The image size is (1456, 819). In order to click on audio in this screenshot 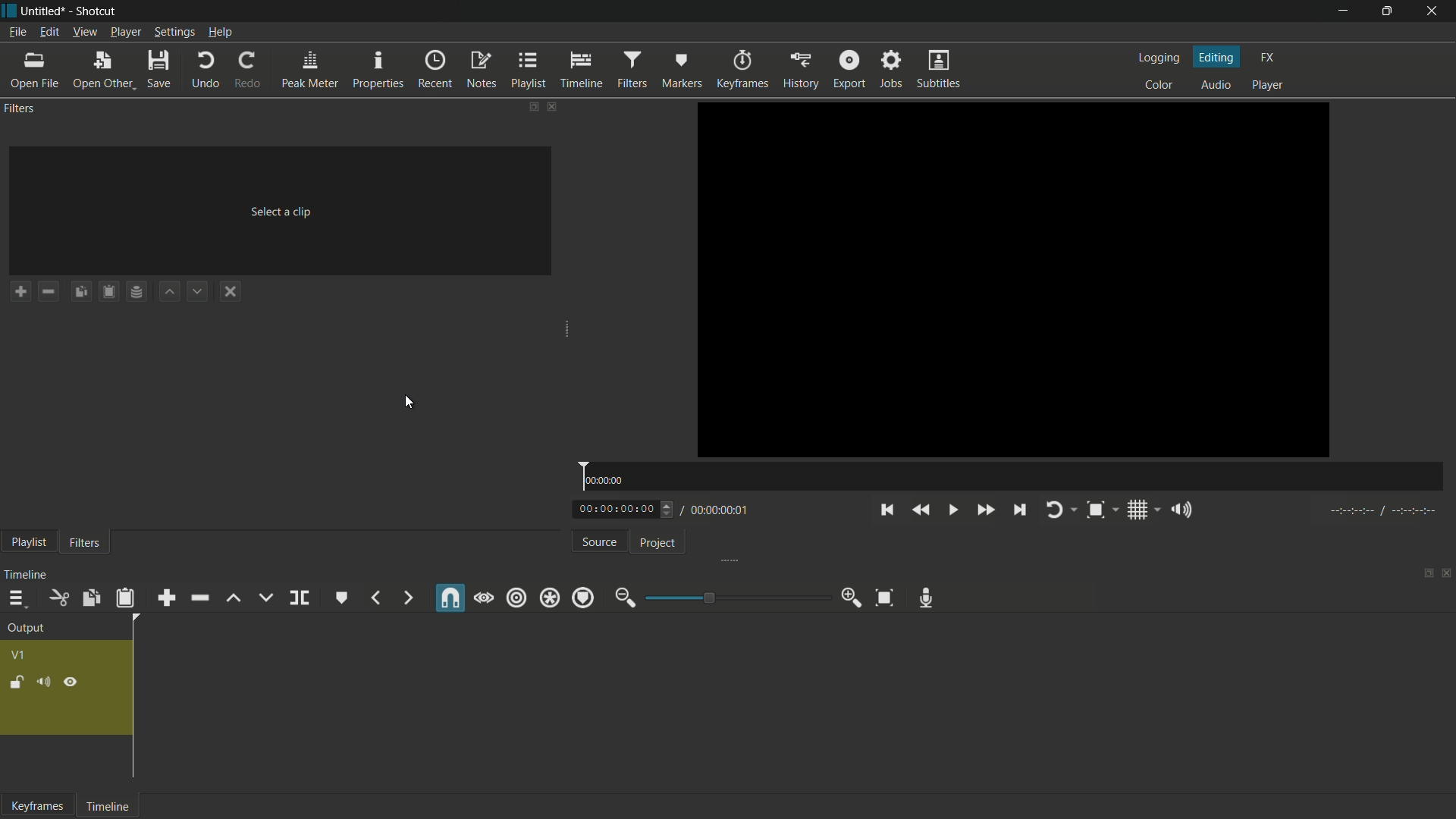, I will do `click(1217, 85)`.